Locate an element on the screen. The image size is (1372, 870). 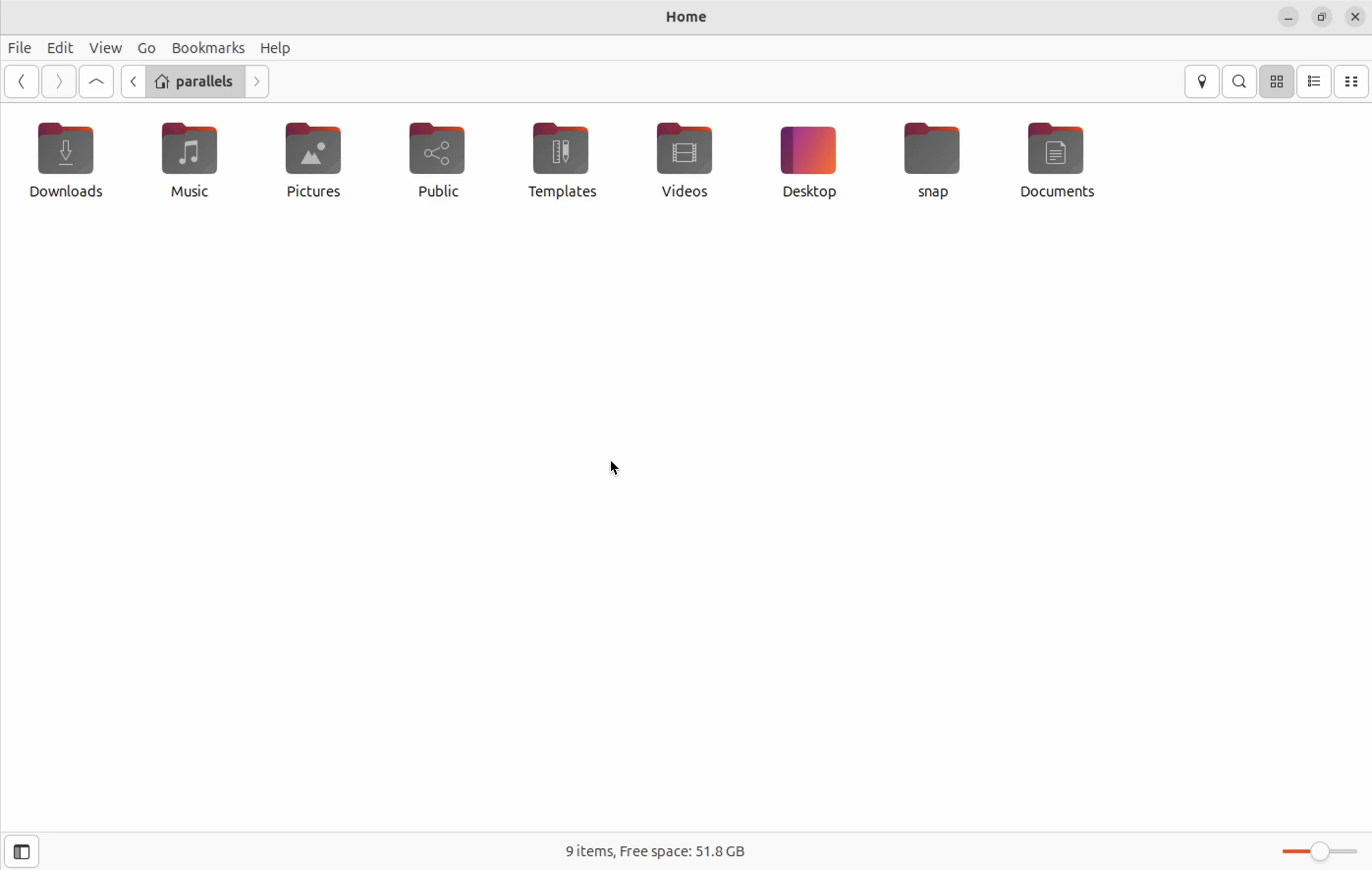
downloads is located at coordinates (66, 160).